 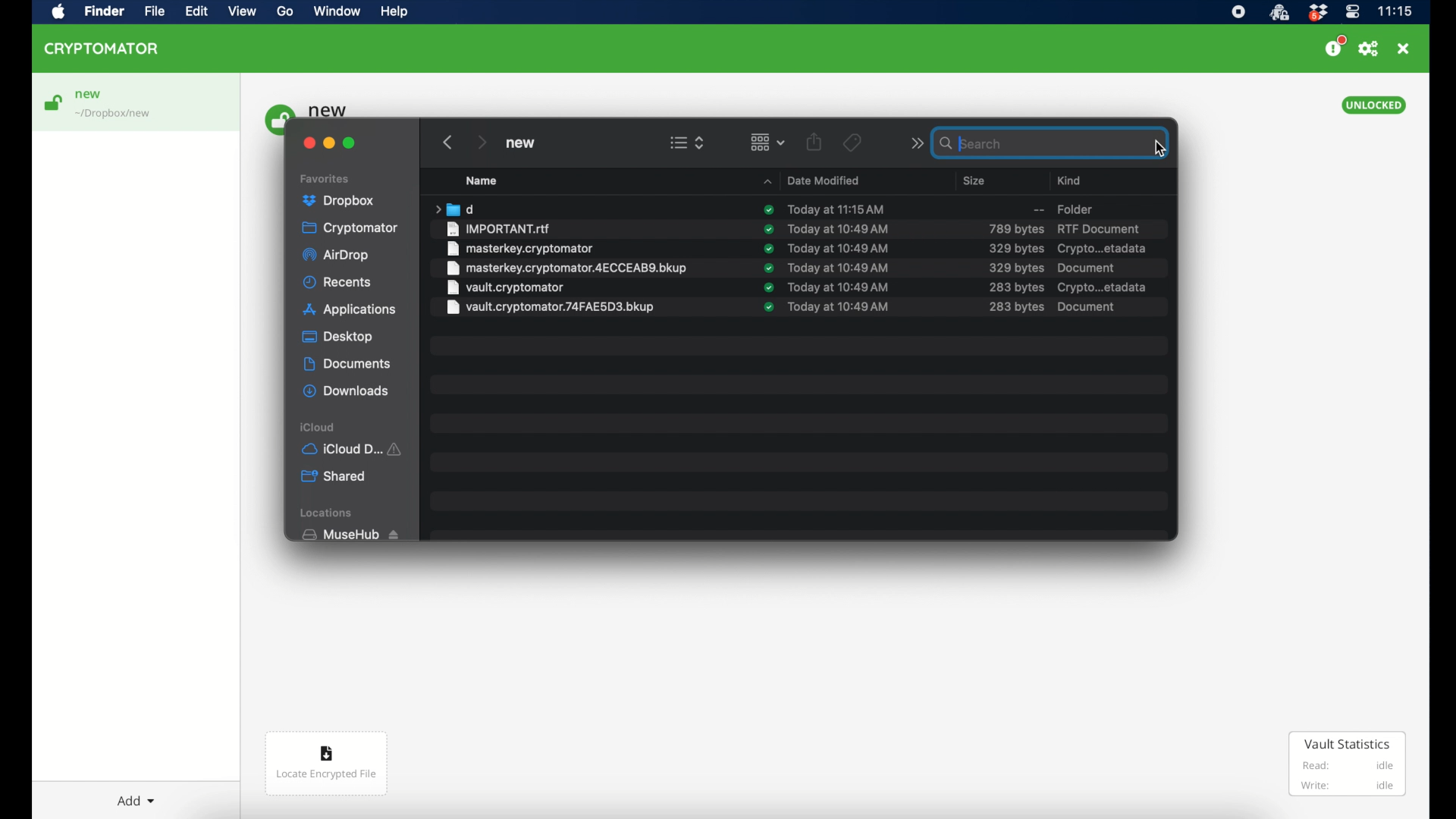 What do you see at coordinates (89, 95) in the screenshot?
I see `new` at bounding box center [89, 95].